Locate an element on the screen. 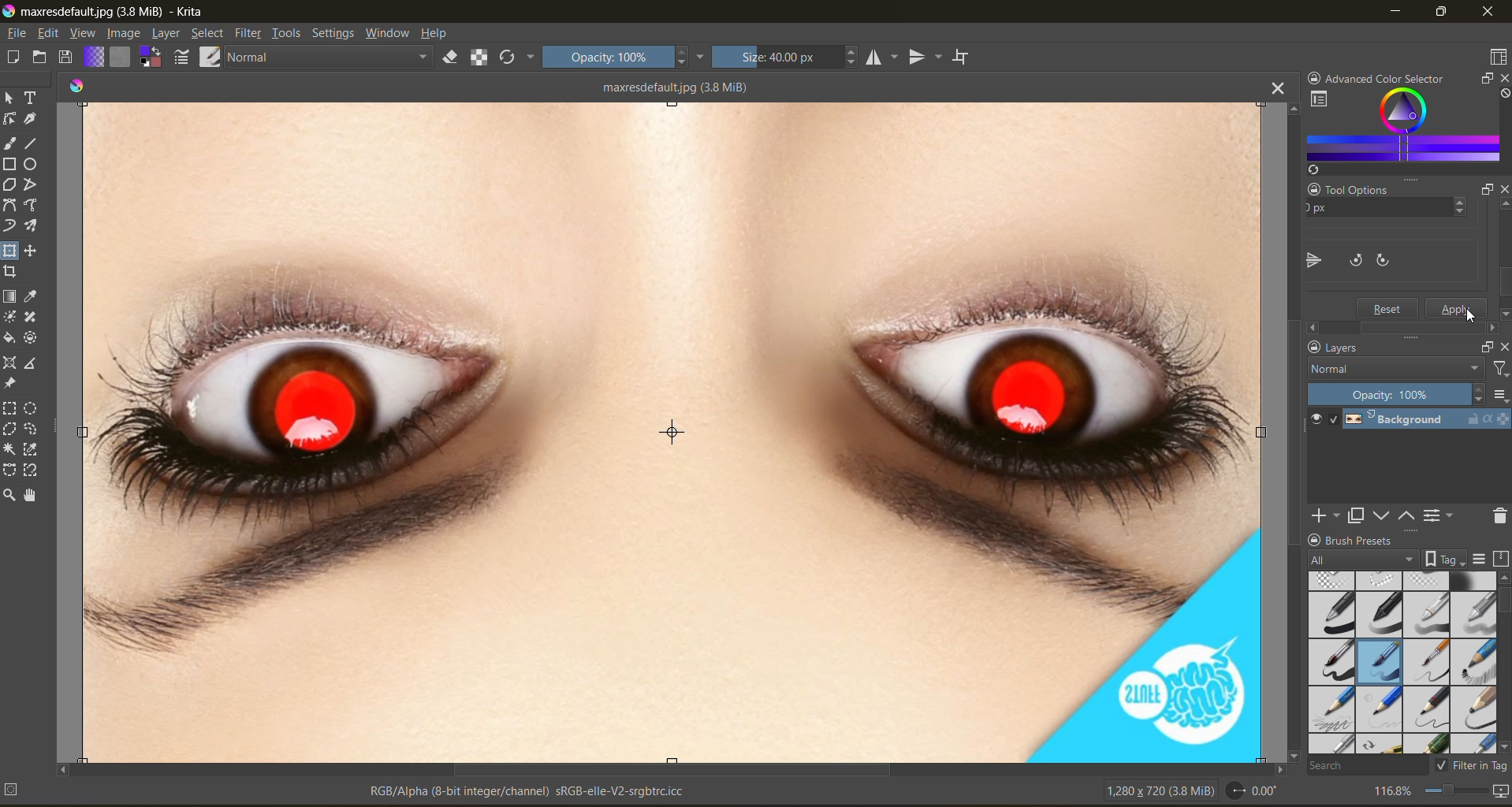  tool is located at coordinates (11, 430).